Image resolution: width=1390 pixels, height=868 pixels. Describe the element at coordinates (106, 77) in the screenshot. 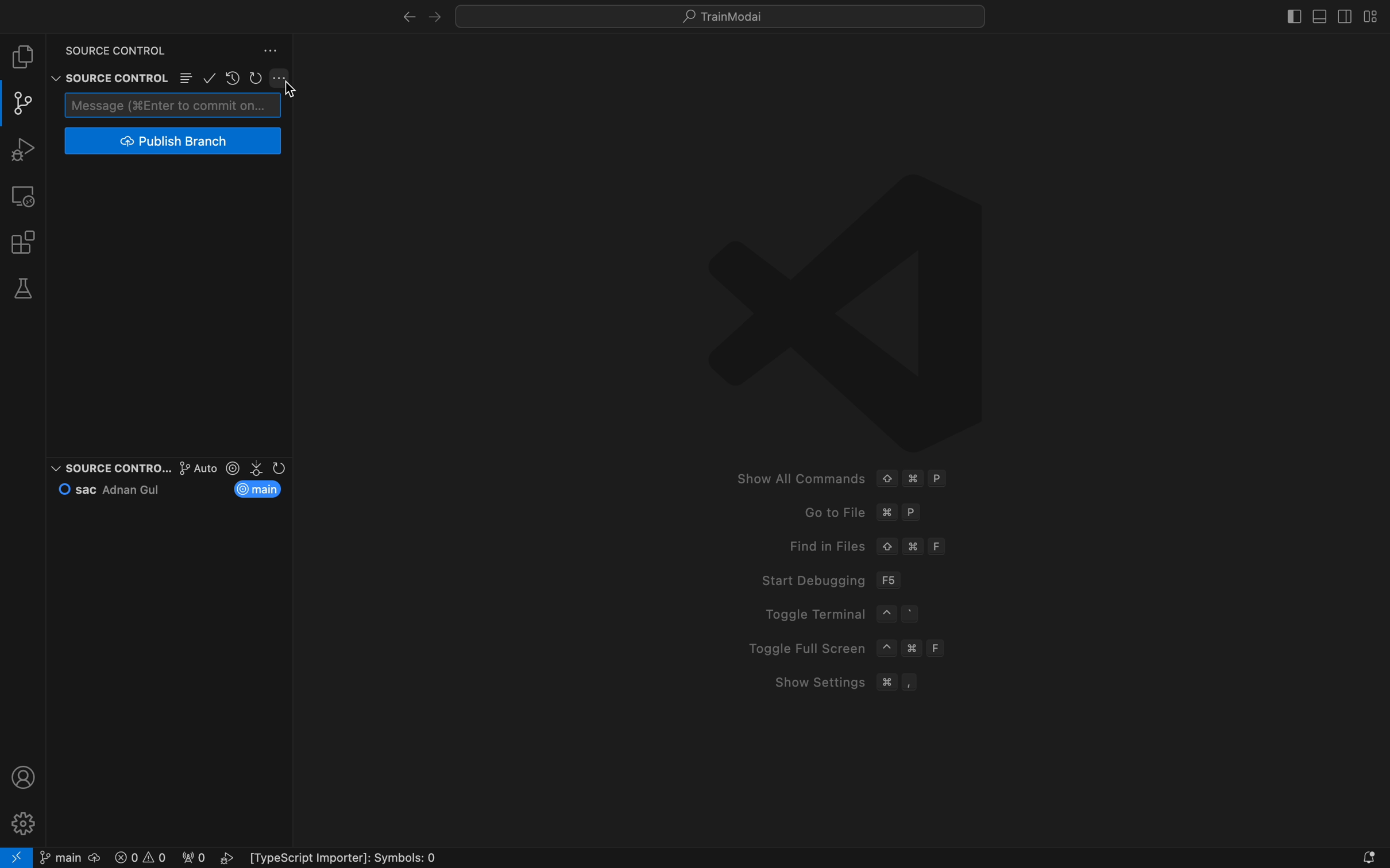

I see `source` at that location.